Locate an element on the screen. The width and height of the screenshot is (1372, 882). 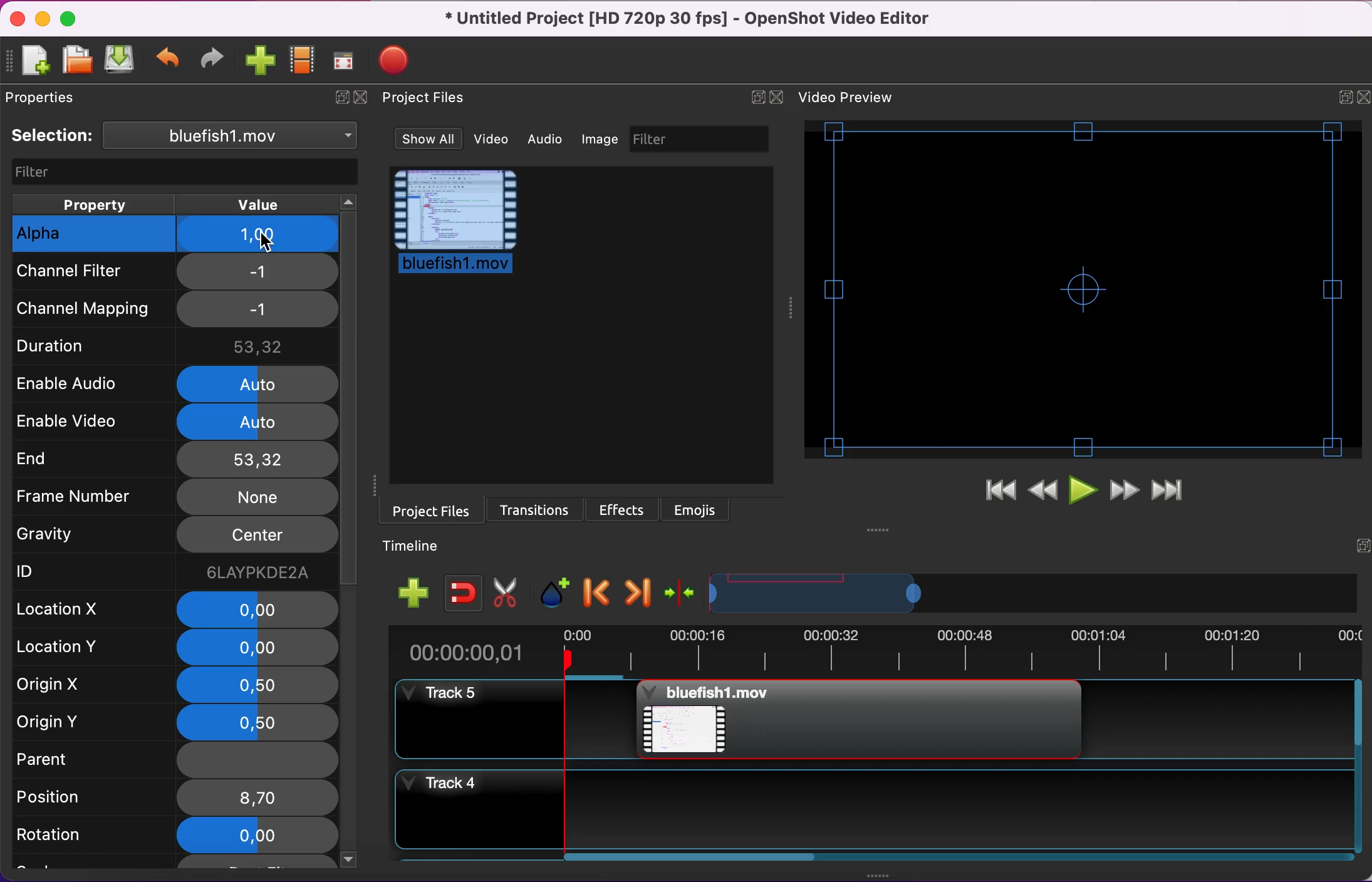
auto is located at coordinates (259, 383).